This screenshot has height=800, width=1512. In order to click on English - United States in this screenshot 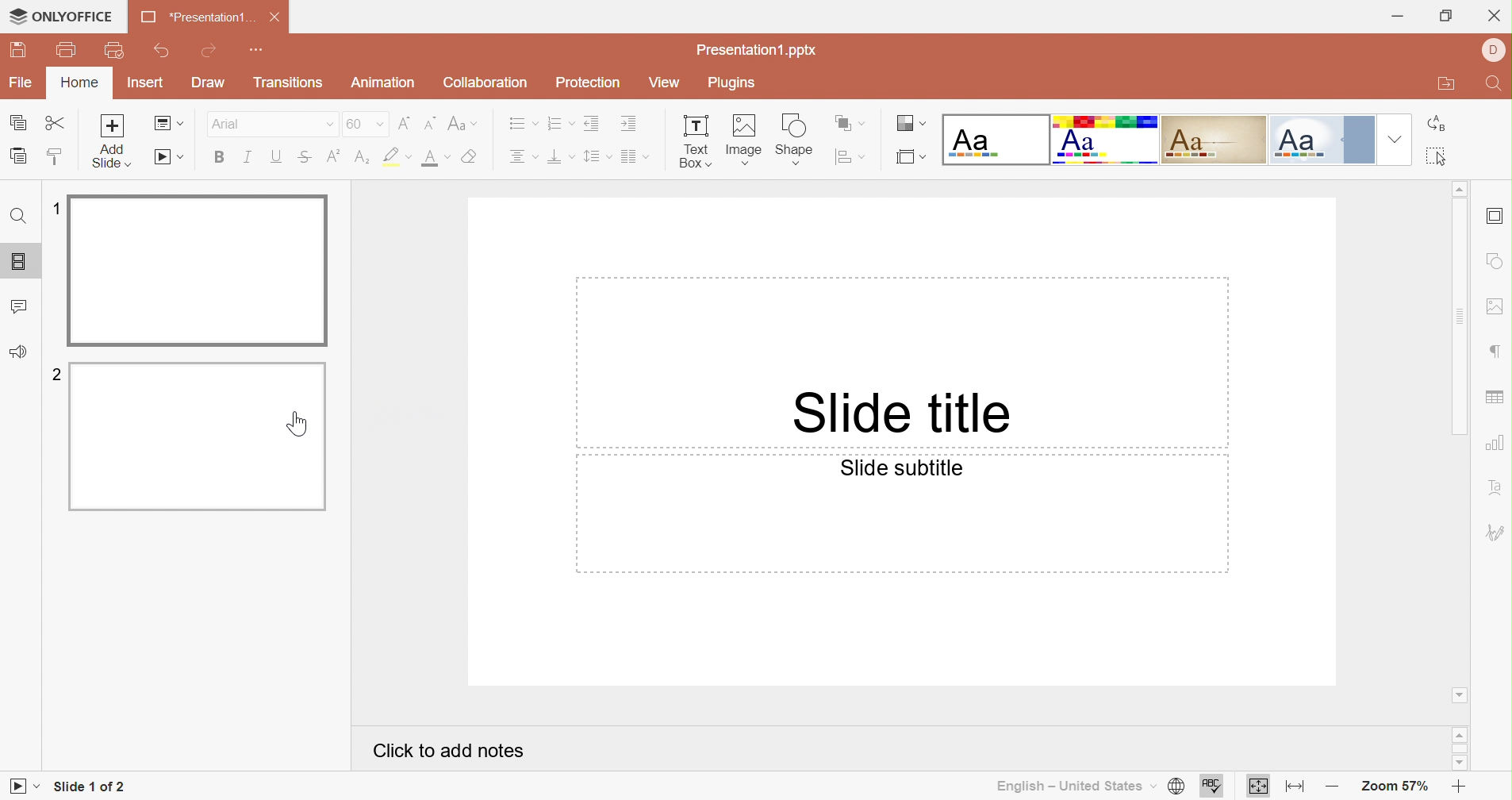, I will do `click(1069, 785)`.